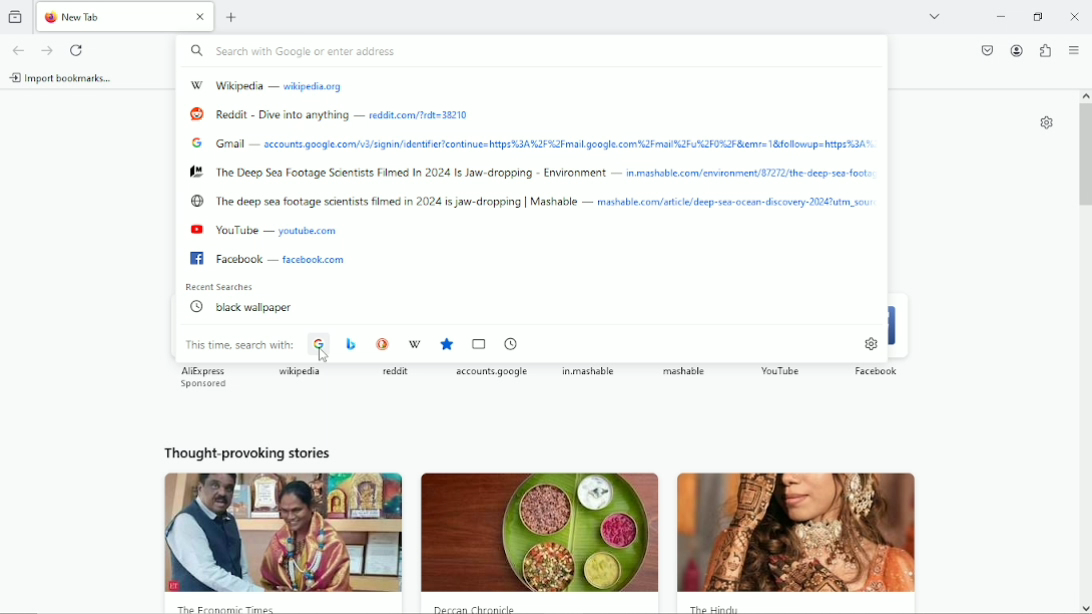 The height and width of the screenshot is (614, 1092). Describe the element at coordinates (245, 307) in the screenshot. I see `black wallpaper` at that location.